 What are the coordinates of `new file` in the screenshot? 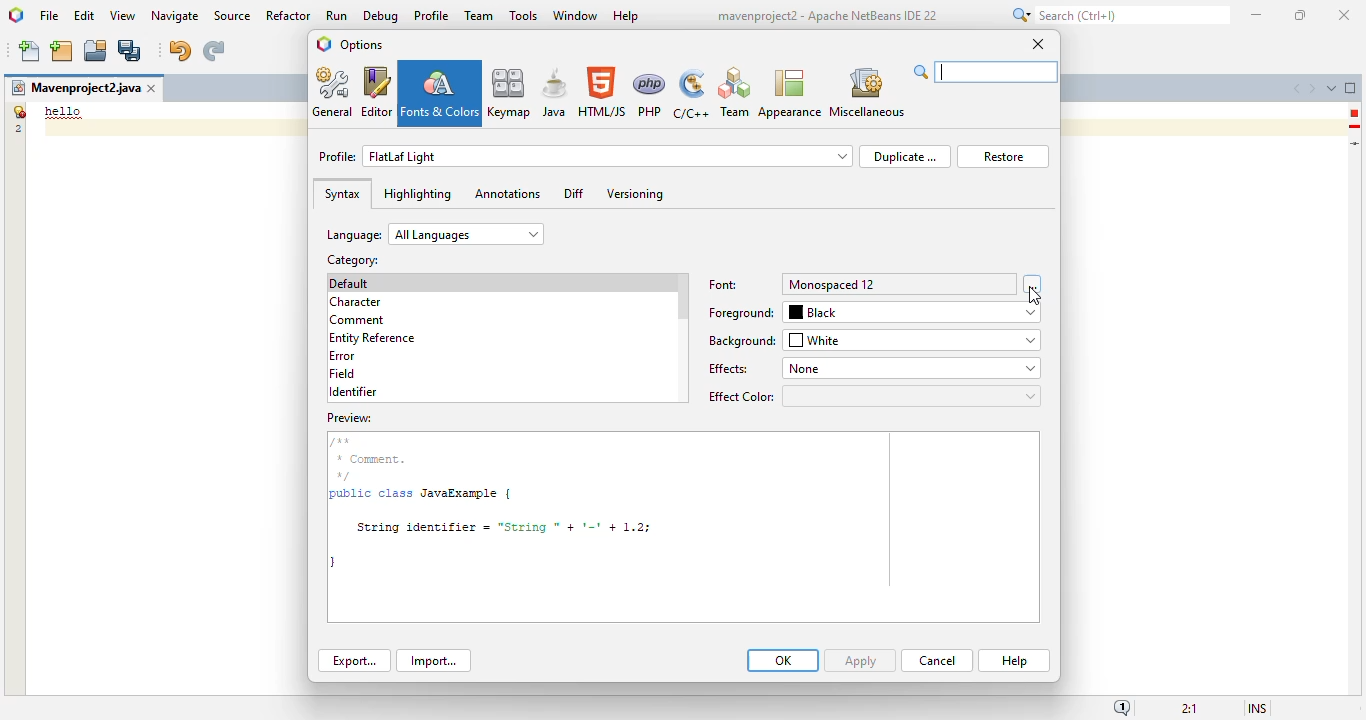 It's located at (31, 51).